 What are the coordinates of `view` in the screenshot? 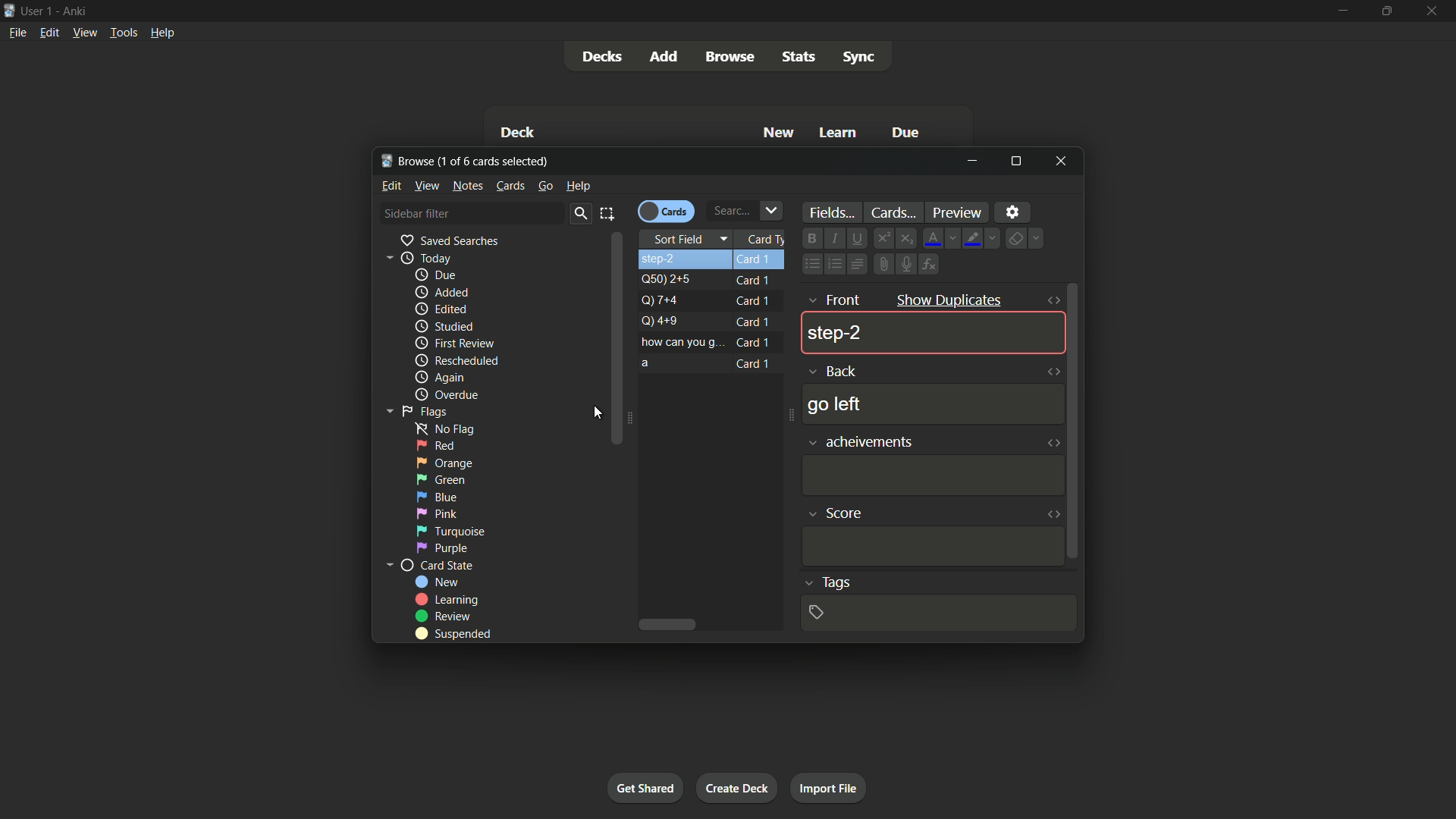 It's located at (428, 185).